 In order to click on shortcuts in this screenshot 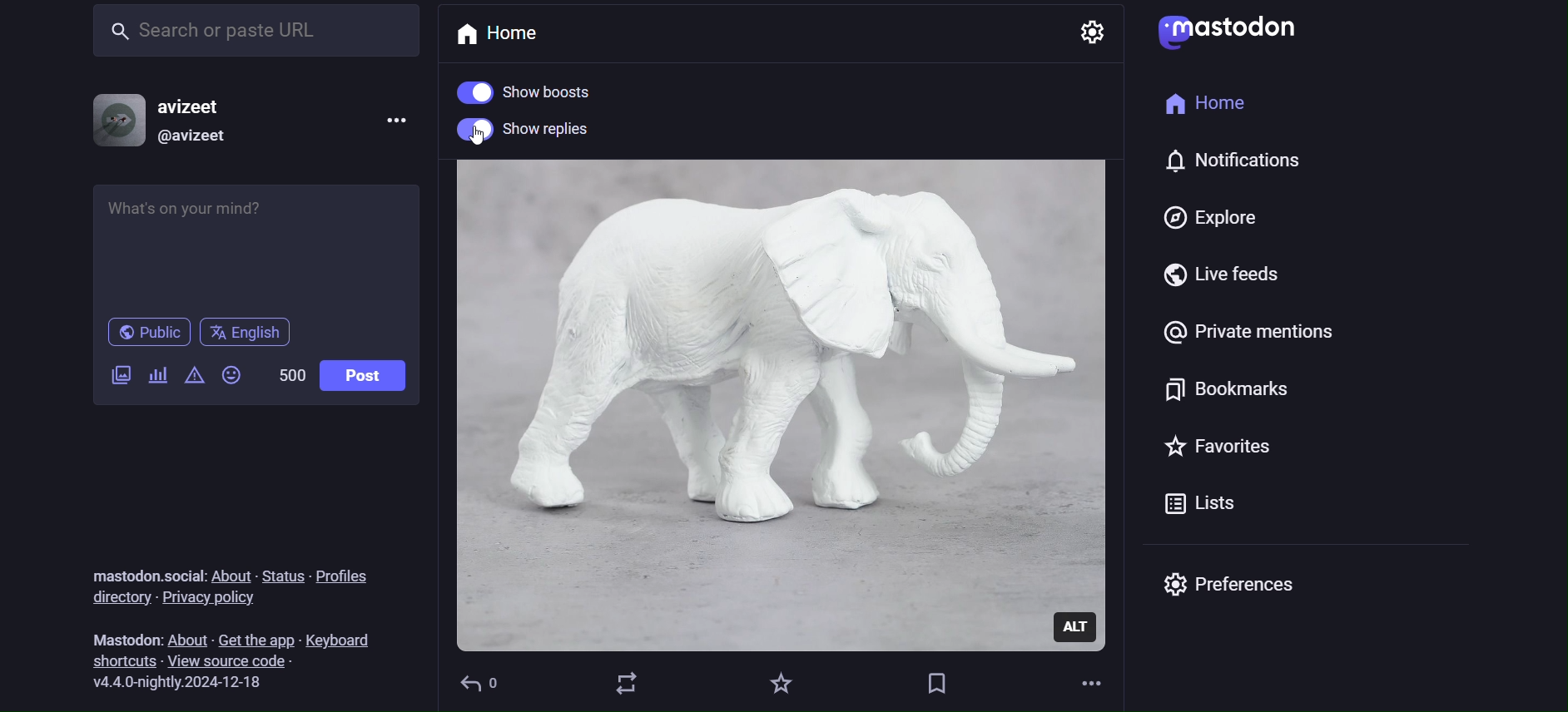, I will do `click(116, 660)`.